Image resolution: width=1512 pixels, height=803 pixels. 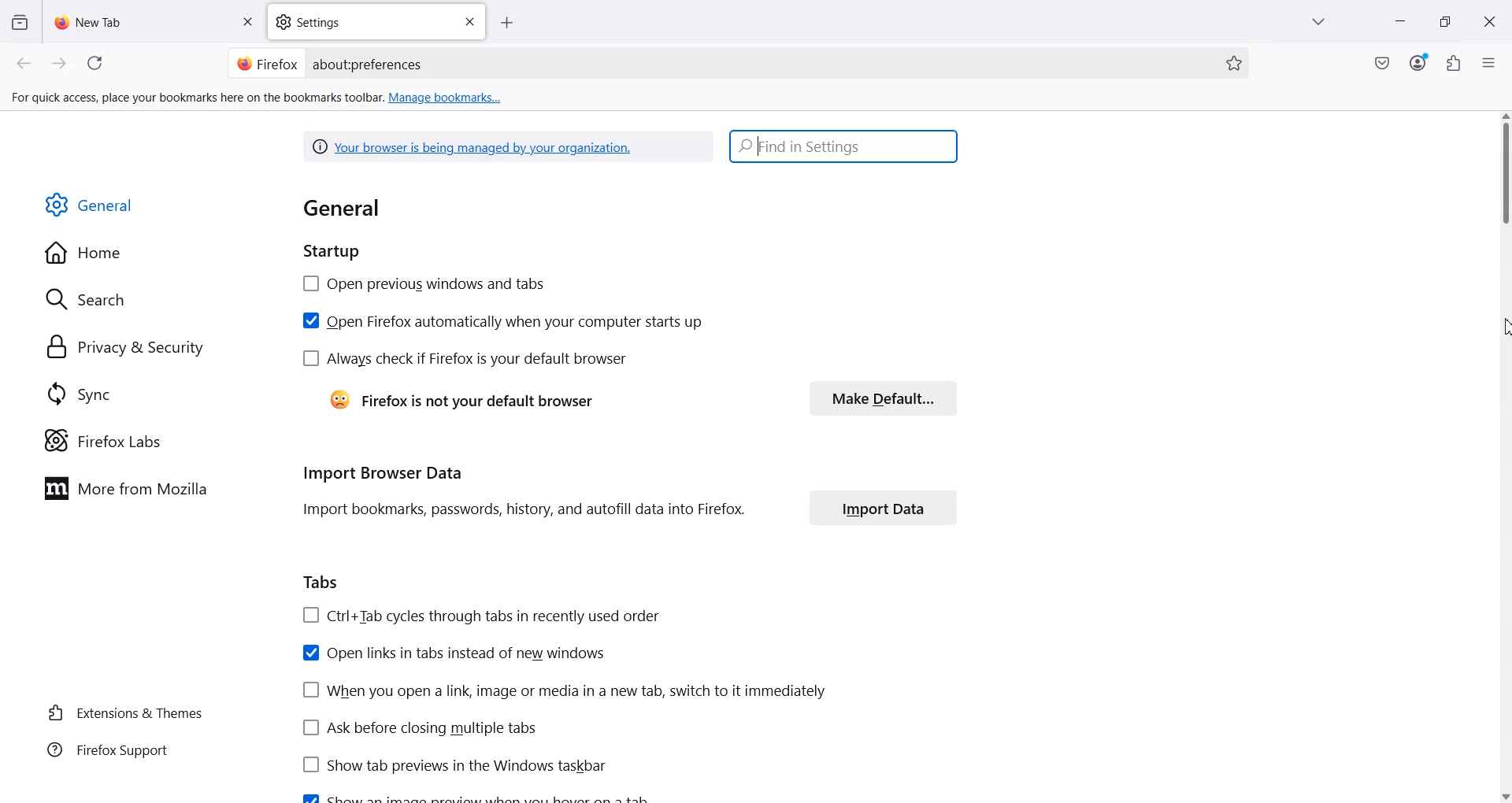 What do you see at coordinates (125, 490) in the screenshot?
I see `jm] More from Mozilla` at bounding box center [125, 490].